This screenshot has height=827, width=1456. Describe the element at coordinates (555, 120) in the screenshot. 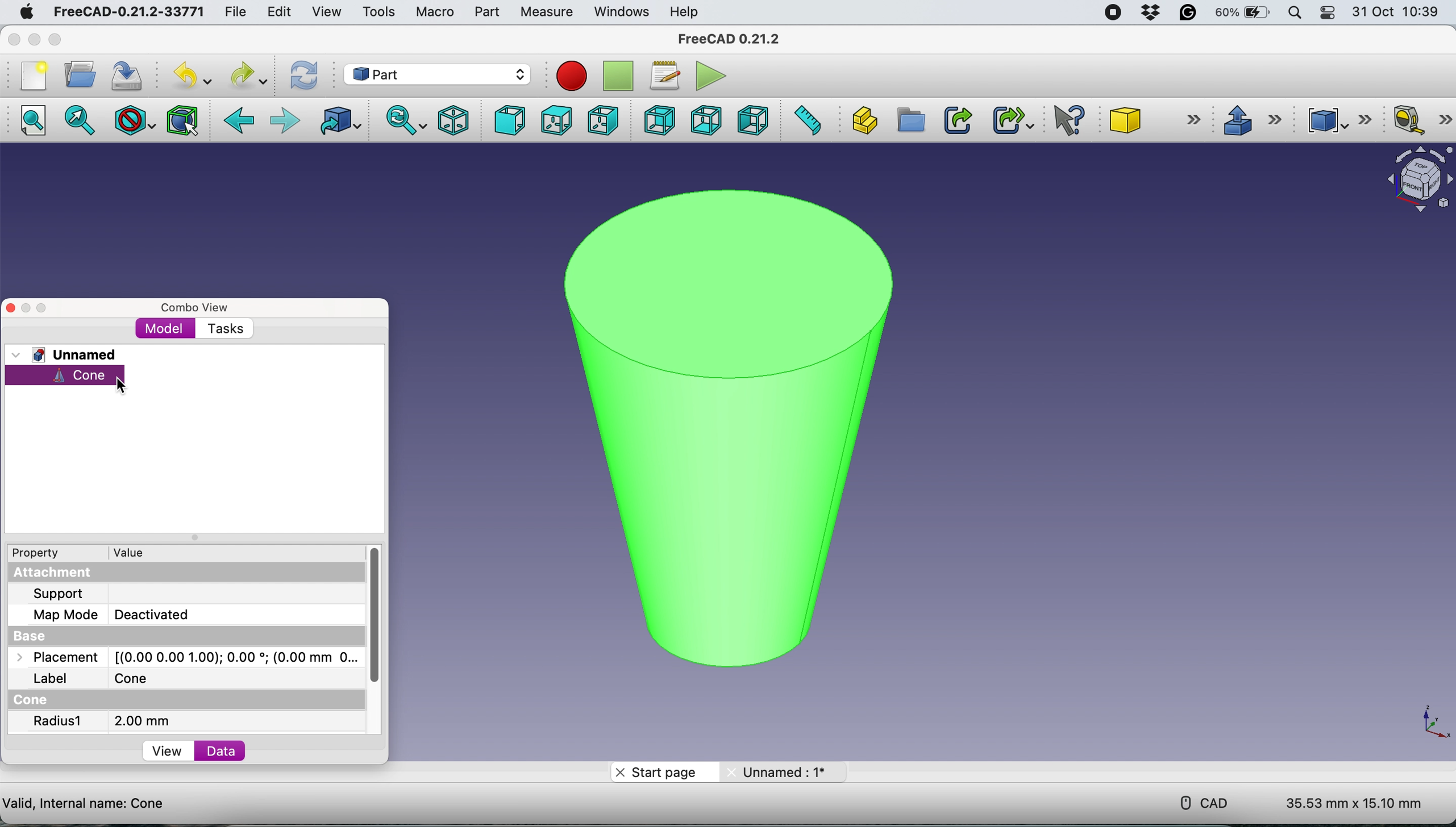

I see `top` at that location.